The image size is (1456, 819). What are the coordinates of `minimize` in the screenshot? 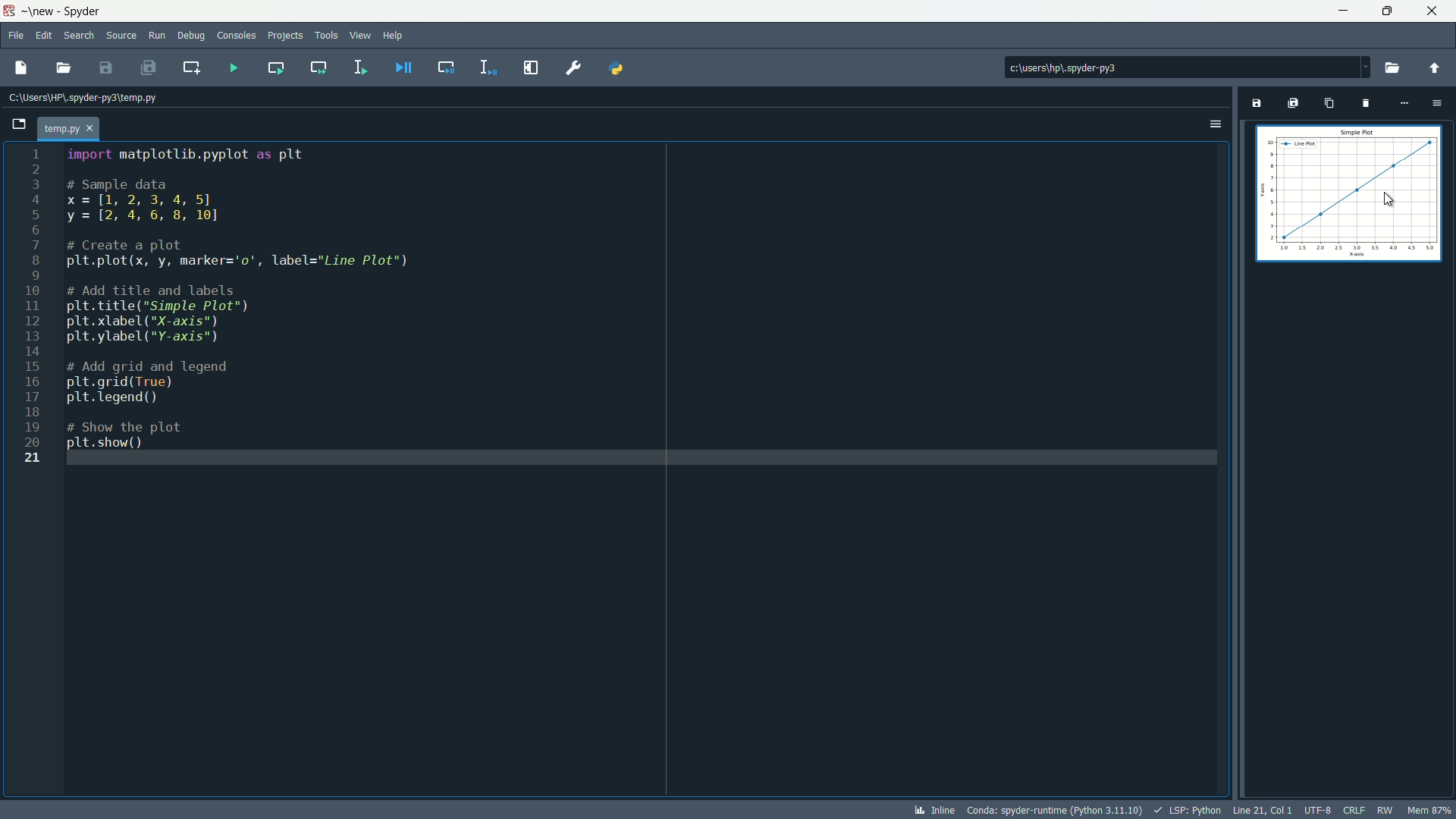 It's located at (1339, 10).